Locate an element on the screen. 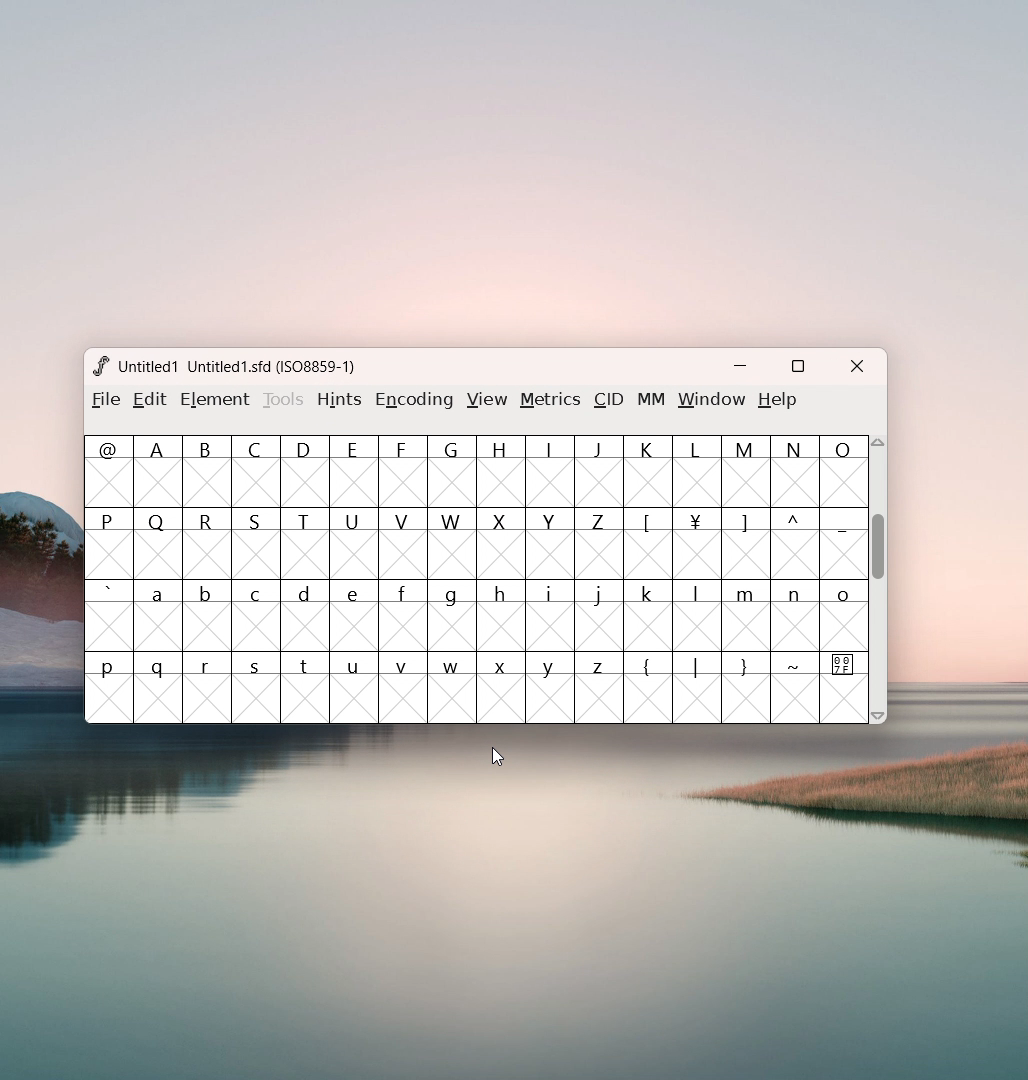 The image size is (1028, 1080). P is located at coordinates (108, 545).